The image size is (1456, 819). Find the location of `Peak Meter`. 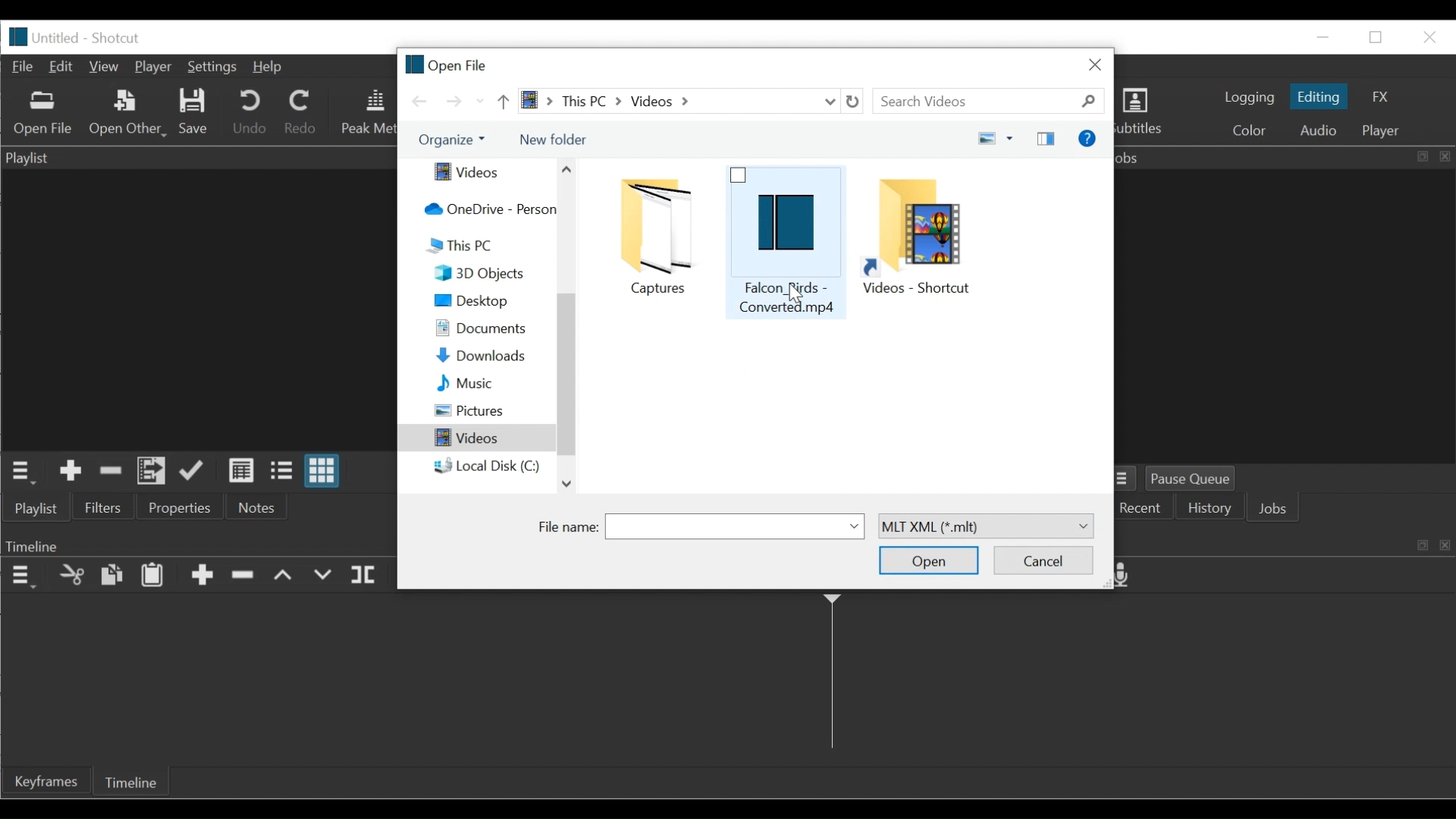

Peak Meter is located at coordinates (368, 113).